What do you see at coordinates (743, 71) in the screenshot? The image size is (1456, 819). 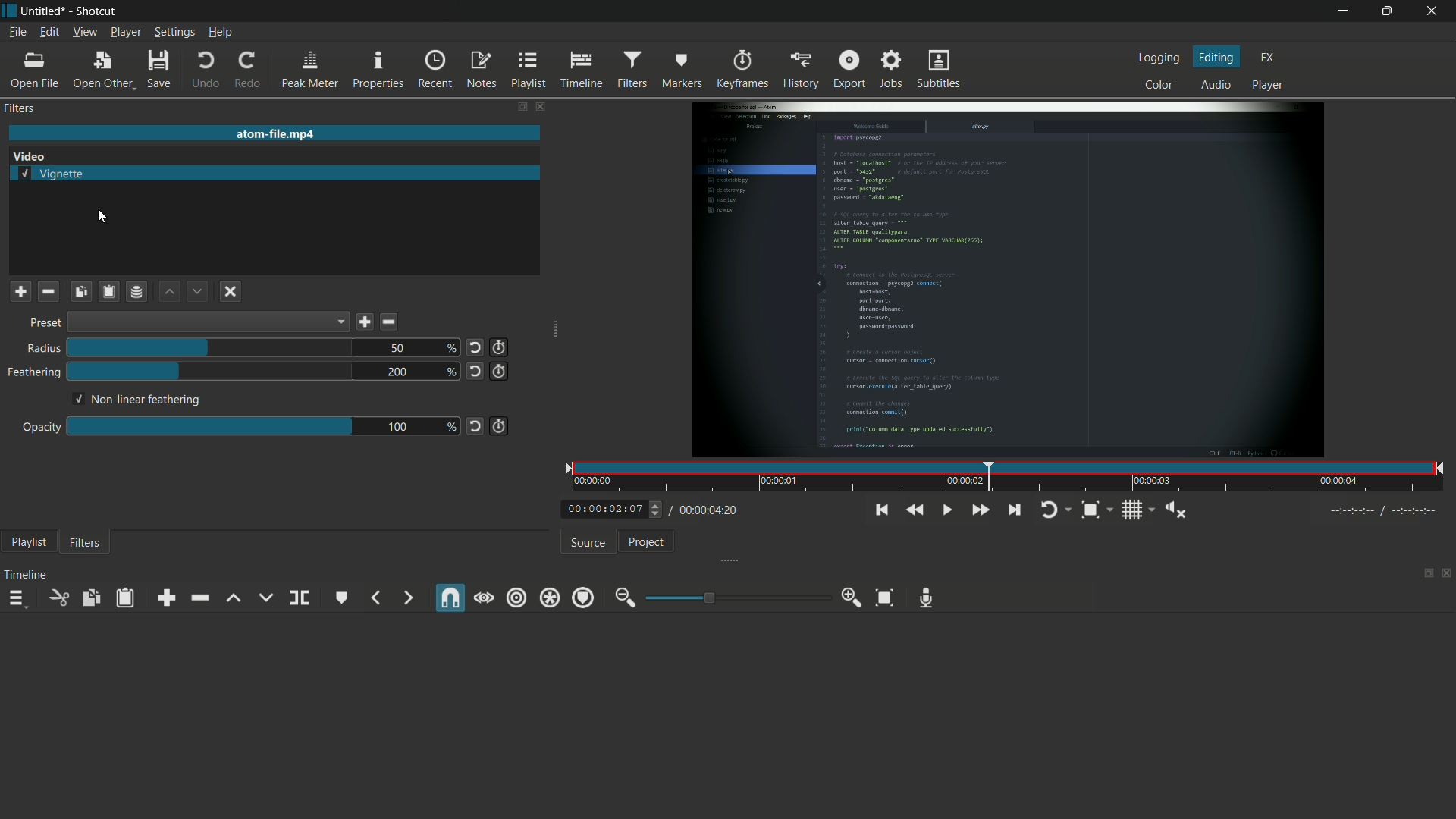 I see `keyframes` at bounding box center [743, 71].